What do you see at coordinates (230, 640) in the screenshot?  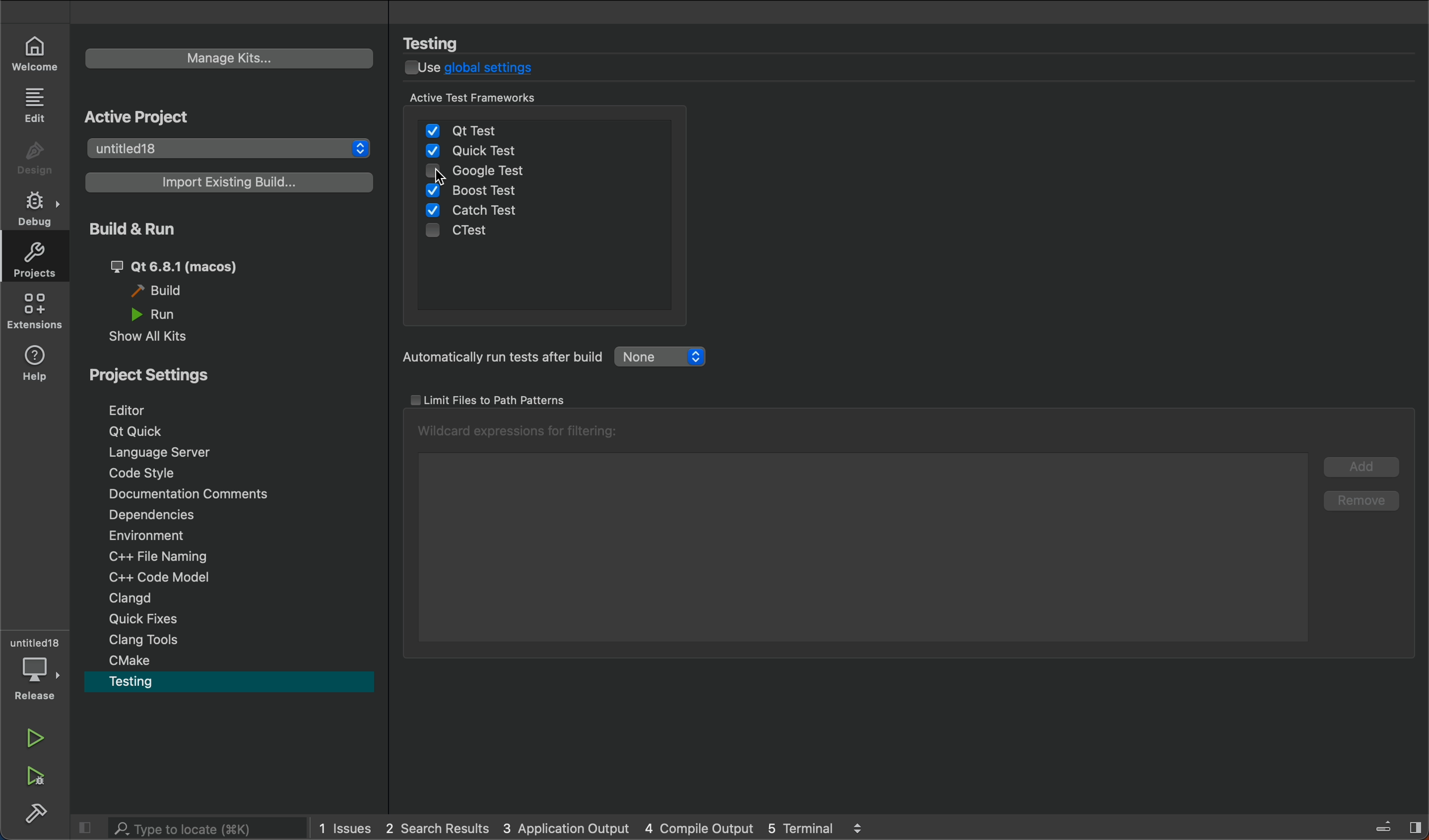 I see `clang tools` at bounding box center [230, 640].